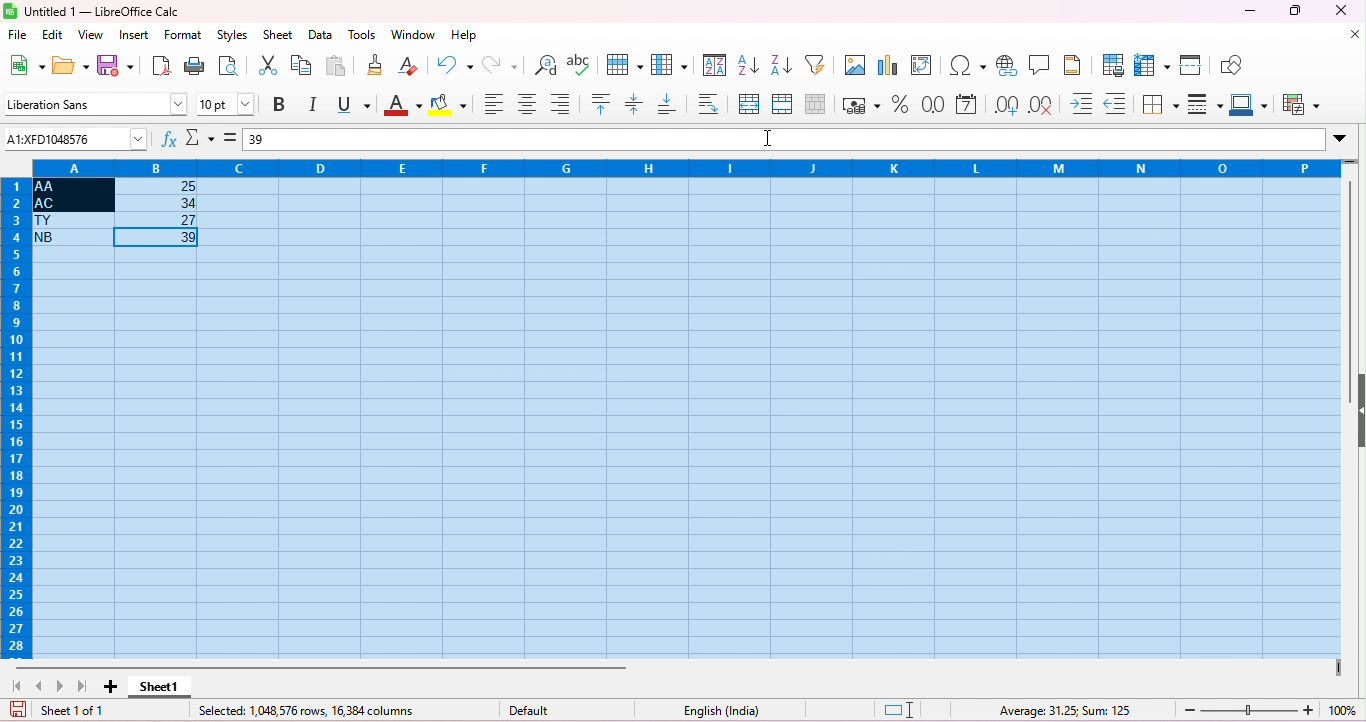 The image size is (1366, 722). I want to click on edit, so click(54, 36).